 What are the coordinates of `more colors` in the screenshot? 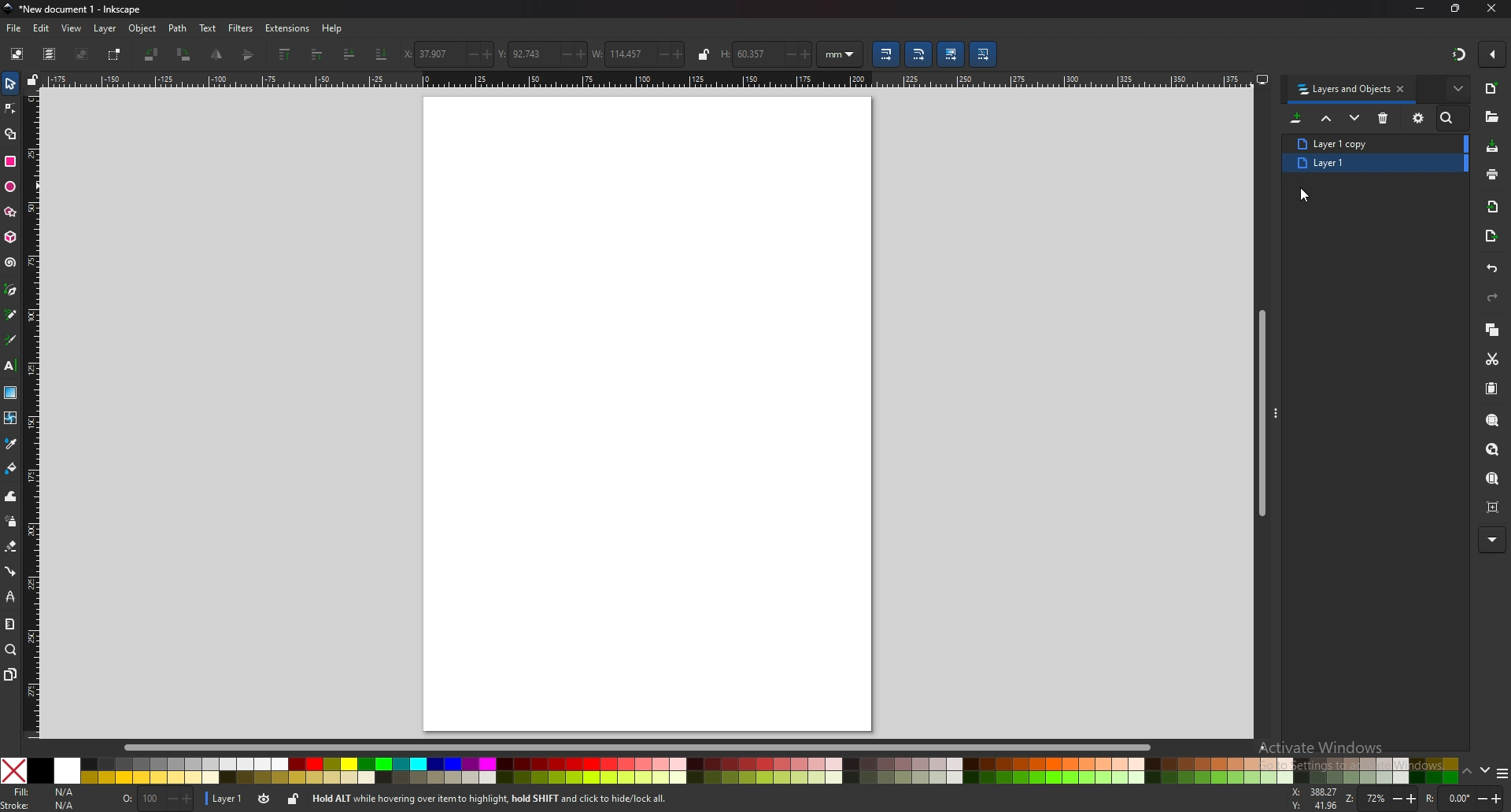 It's located at (1502, 773).